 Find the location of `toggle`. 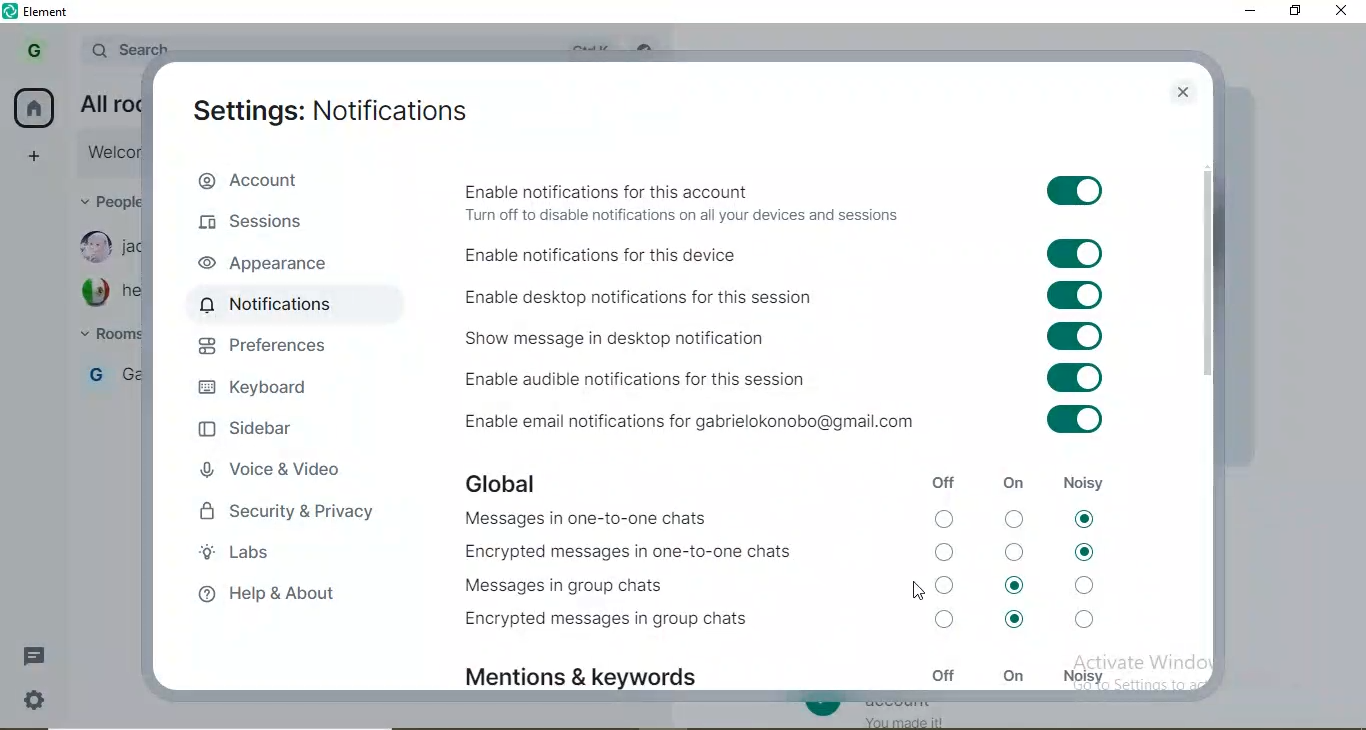

toggle is located at coordinates (1075, 189).